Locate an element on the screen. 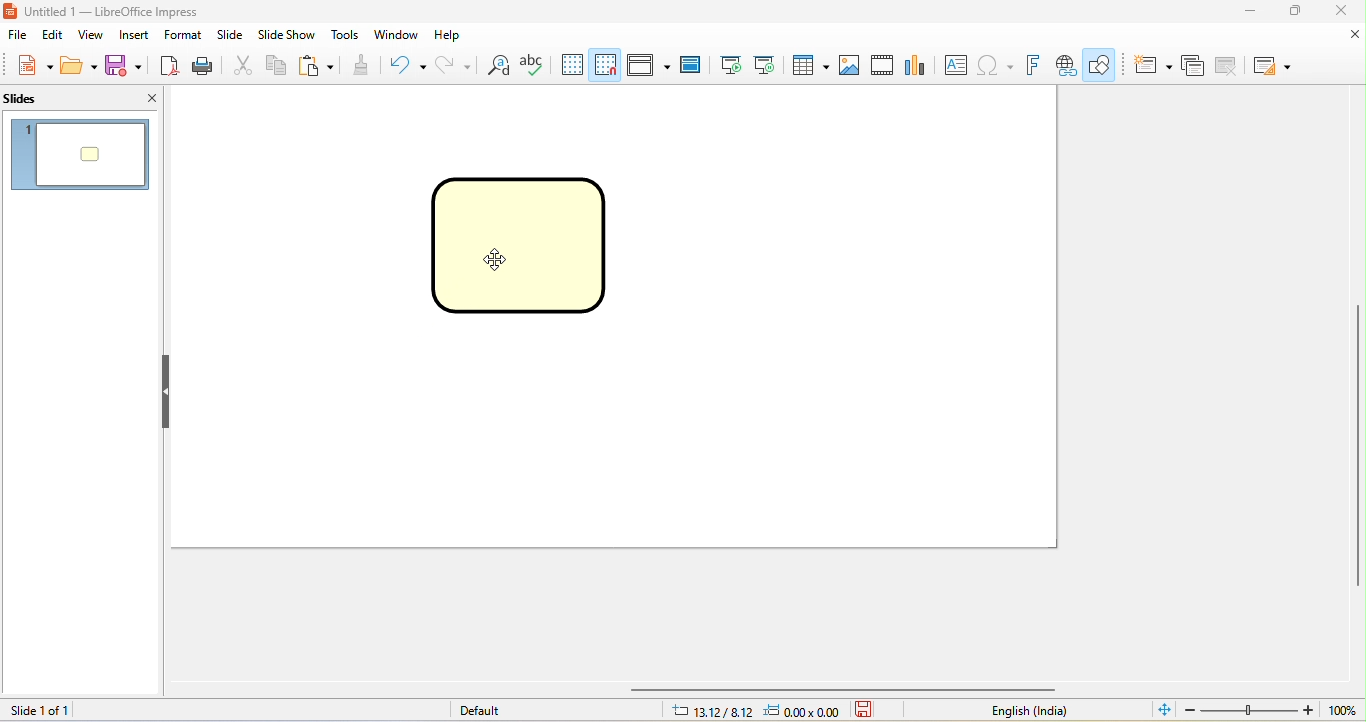 The image size is (1366, 722). snap to grid is located at coordinates (607, 65).